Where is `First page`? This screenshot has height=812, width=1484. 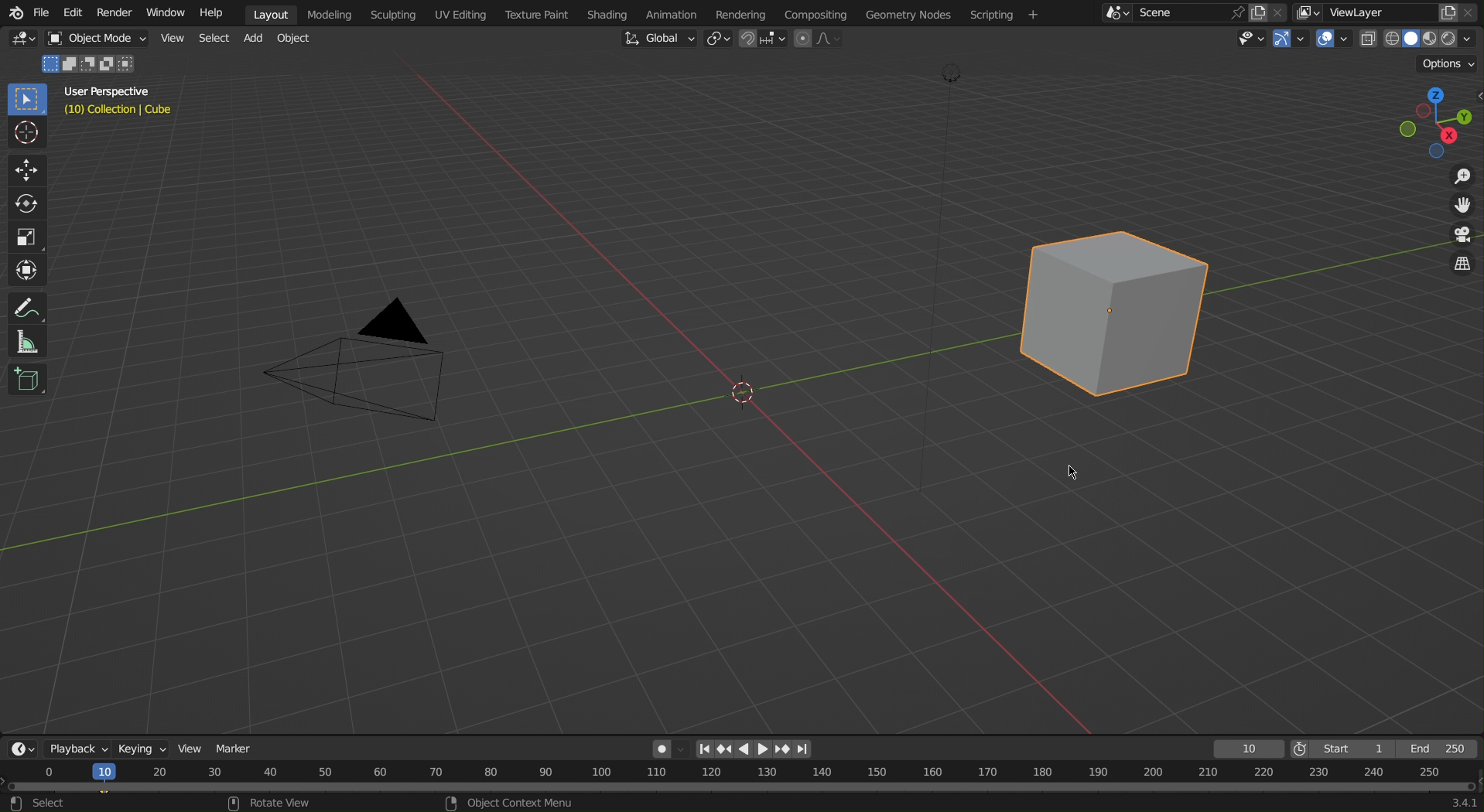
First page is located at coordinates (704, 749).